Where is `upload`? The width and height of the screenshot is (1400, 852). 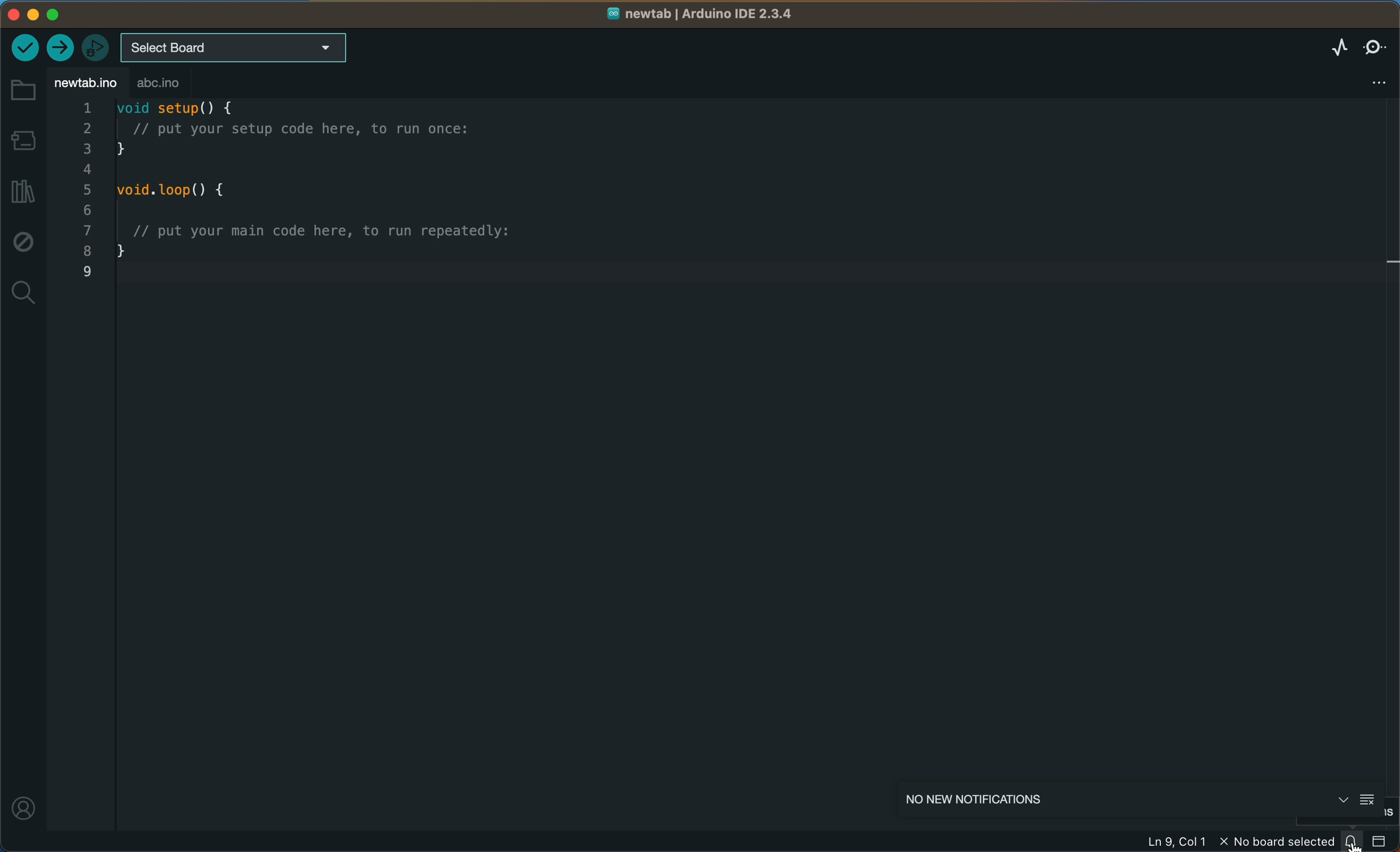
upload is located at coordinates (61, 47).